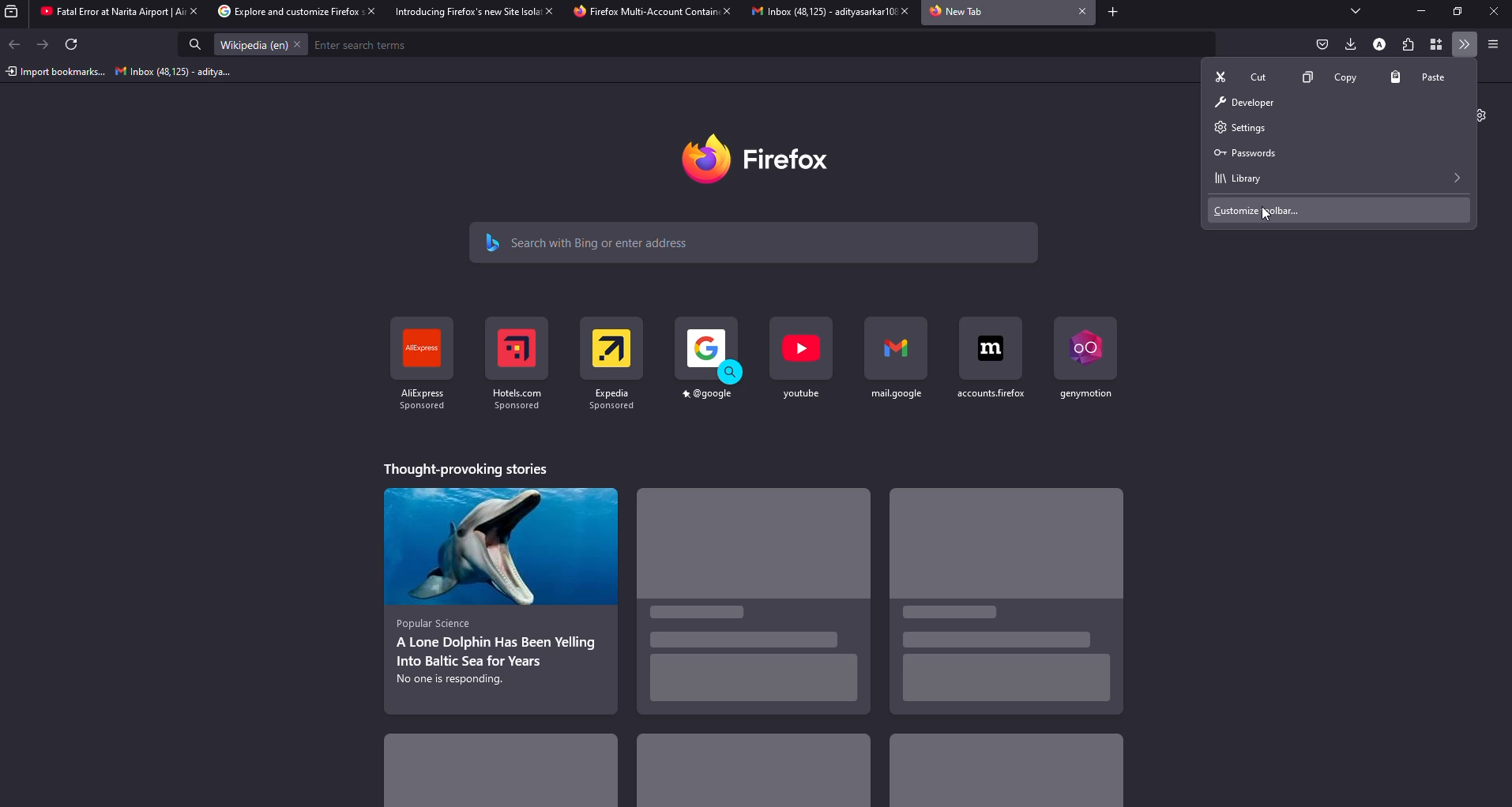  What do you see at coordinates (1260, 209) in the screenshot?
I see `customize toolbar` at bounding box center [1260, 209].